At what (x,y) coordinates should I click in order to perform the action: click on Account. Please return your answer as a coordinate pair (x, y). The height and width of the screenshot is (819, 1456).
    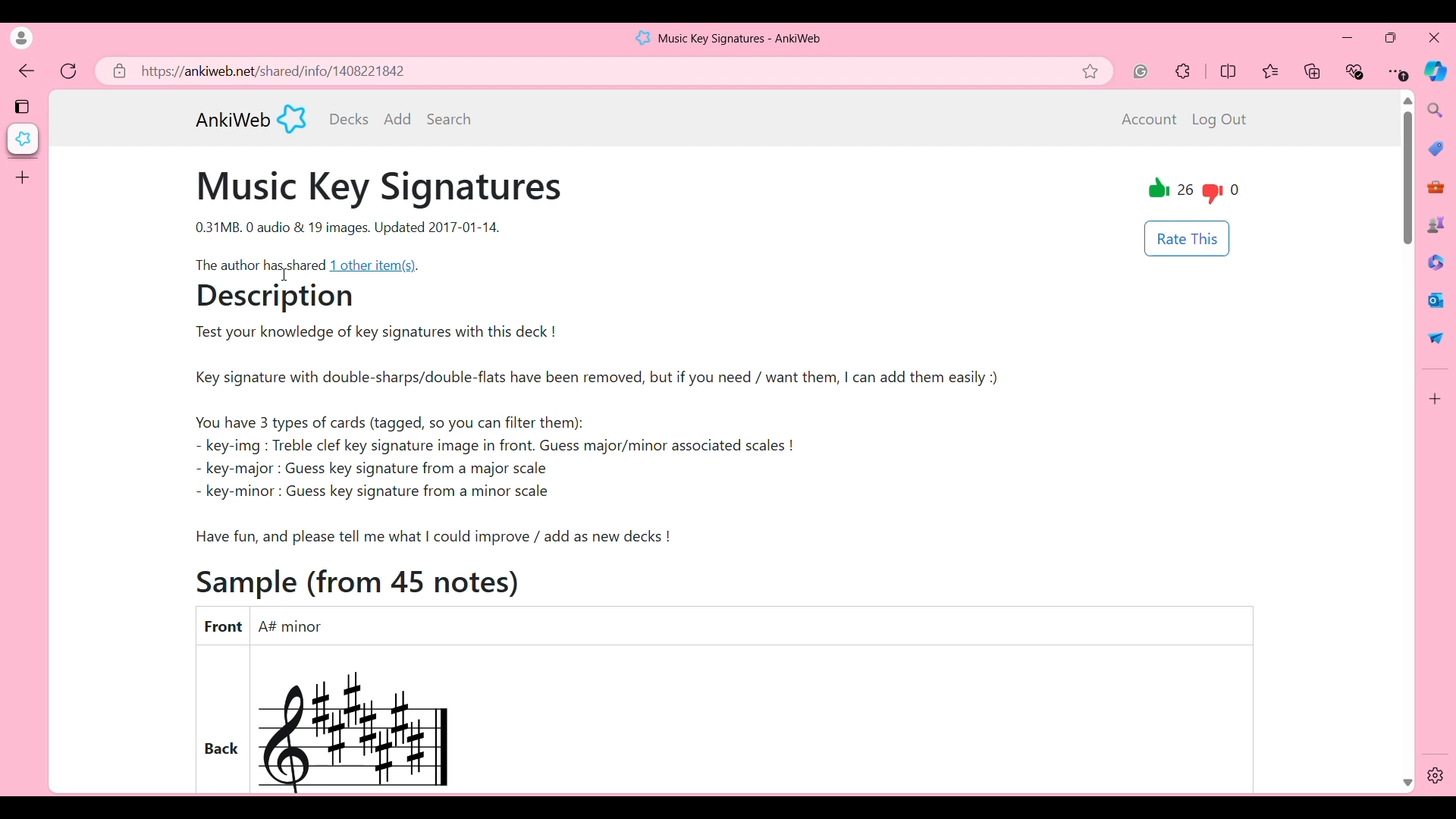
    Looking at the image, I should click on (1150, 120).